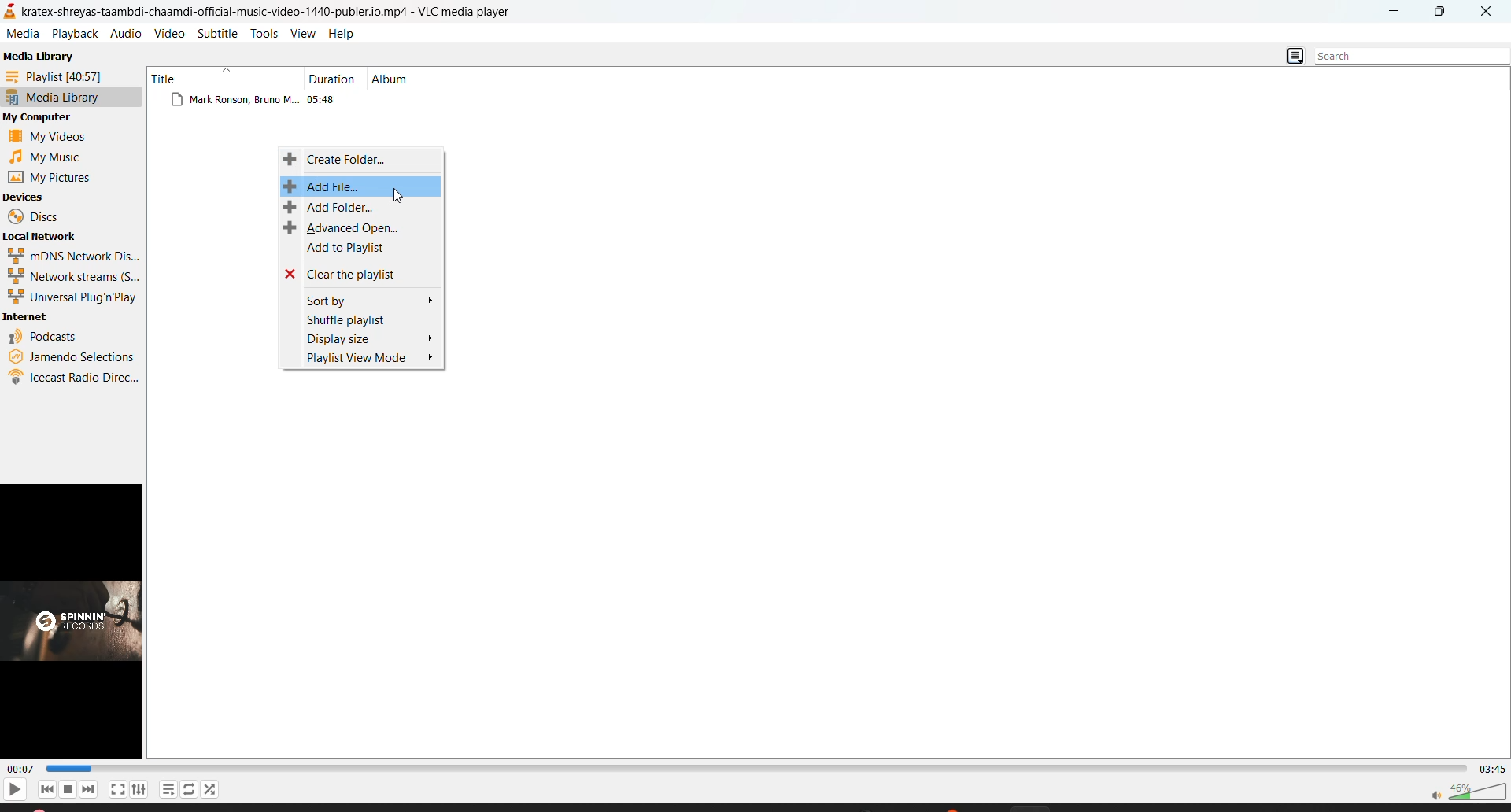 The width and height of the screenshot is (1511, 812). What do you see at coordinates (24, 770) in the screenshot?
I see `current track time` at bounding box center [24, 770].